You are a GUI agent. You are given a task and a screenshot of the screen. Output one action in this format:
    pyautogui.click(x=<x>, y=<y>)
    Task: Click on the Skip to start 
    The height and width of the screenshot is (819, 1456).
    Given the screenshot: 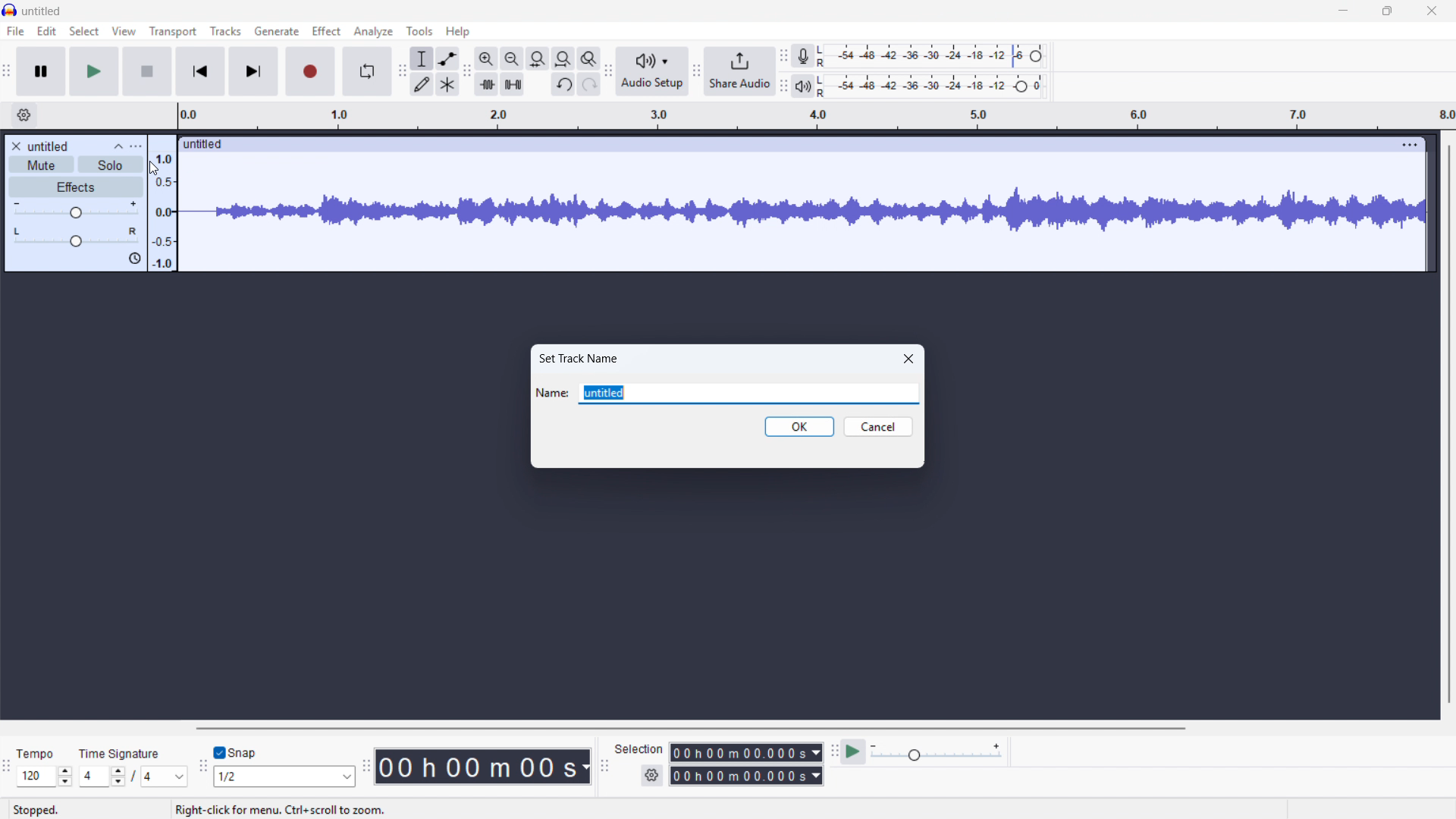 What is the action you would take?
    pyautogui.click(x=199, y=72)
    